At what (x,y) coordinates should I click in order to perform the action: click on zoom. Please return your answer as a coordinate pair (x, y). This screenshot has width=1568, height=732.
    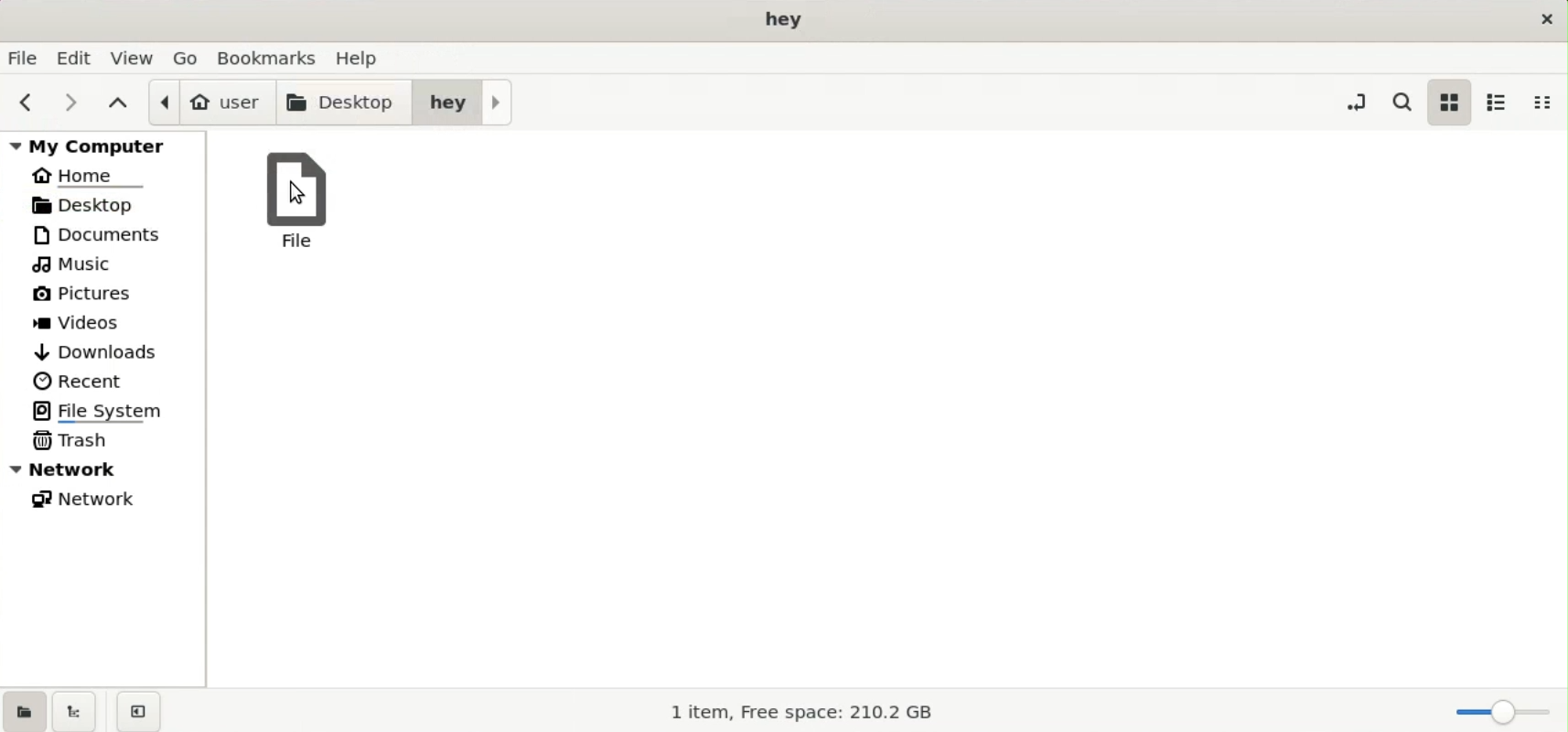
    Looking at the image, I should click on (1498, 712).